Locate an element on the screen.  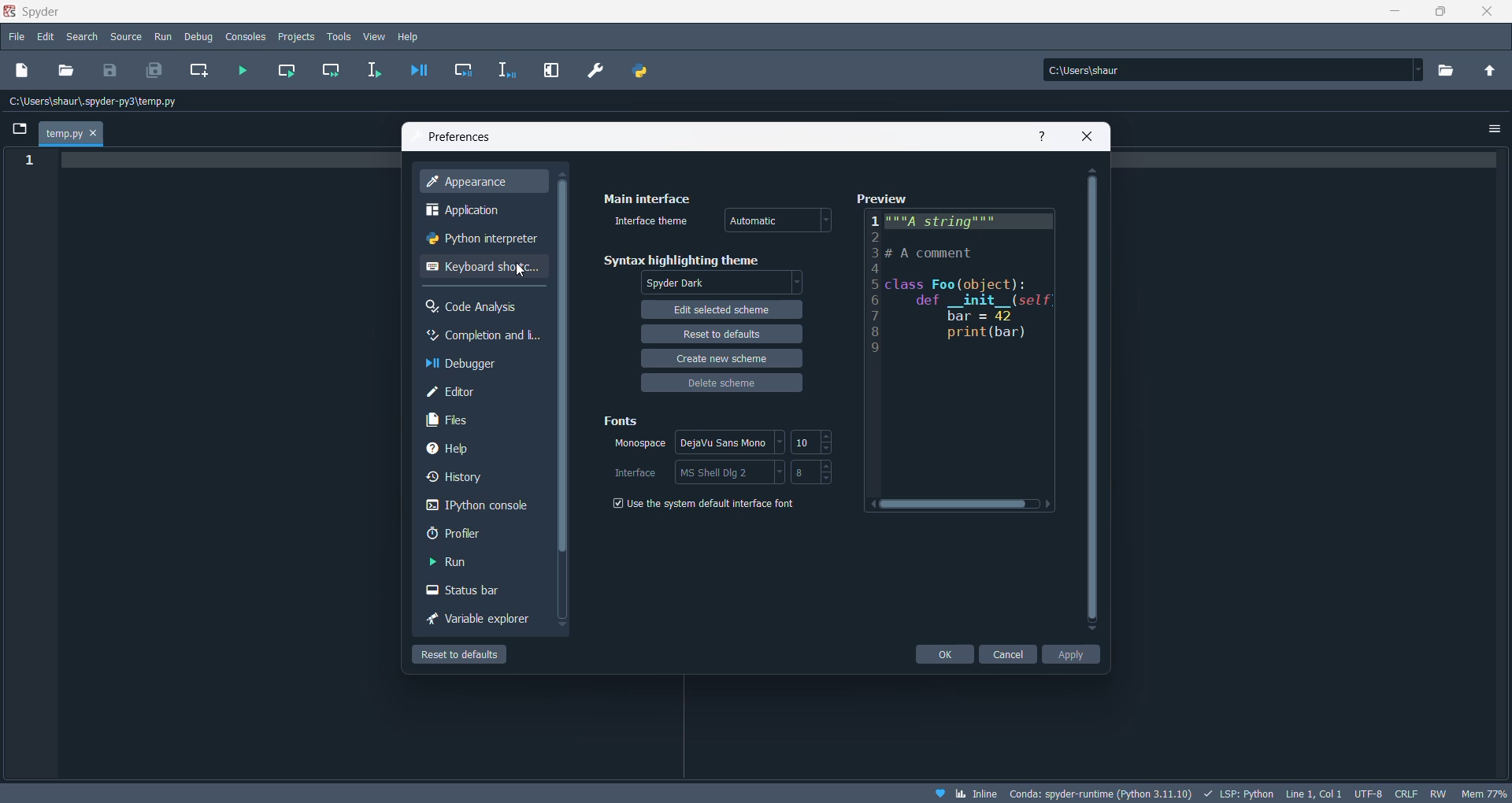
file tab is located at coordinates (72, 134).